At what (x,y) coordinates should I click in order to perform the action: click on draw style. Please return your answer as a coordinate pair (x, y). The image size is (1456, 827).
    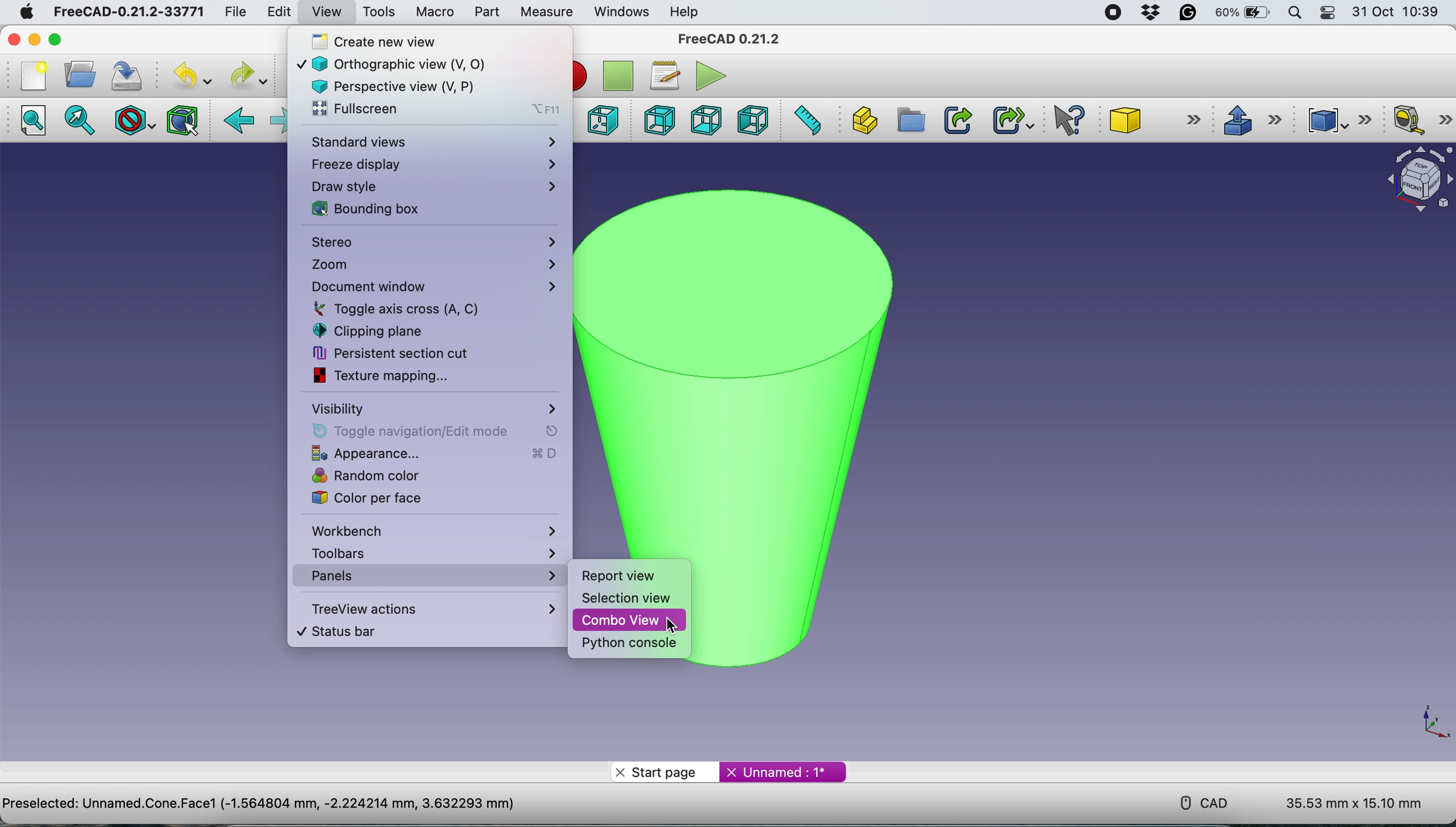
    Looking at the image, I should click on (132, 120).